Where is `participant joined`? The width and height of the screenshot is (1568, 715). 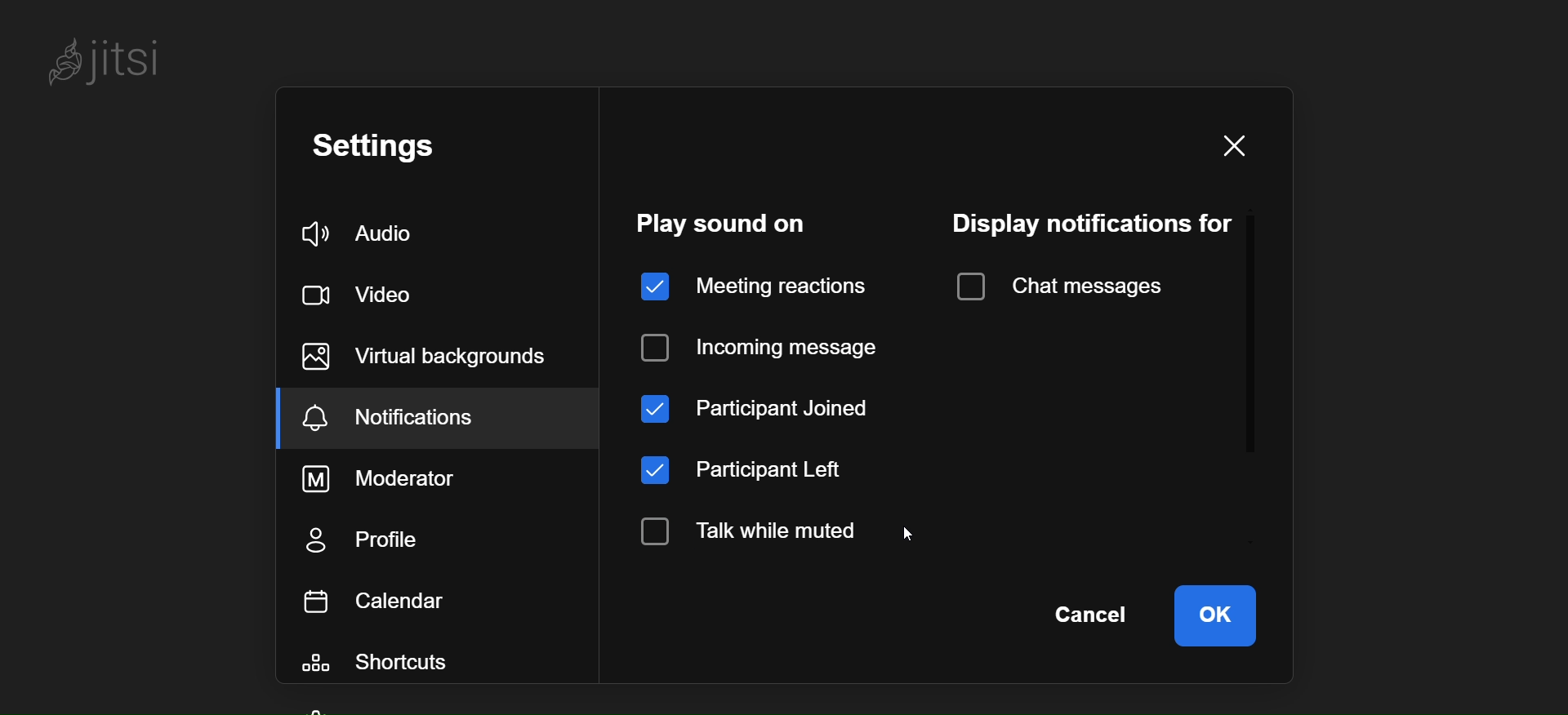 participant joined is located at coordinates (763, 402).